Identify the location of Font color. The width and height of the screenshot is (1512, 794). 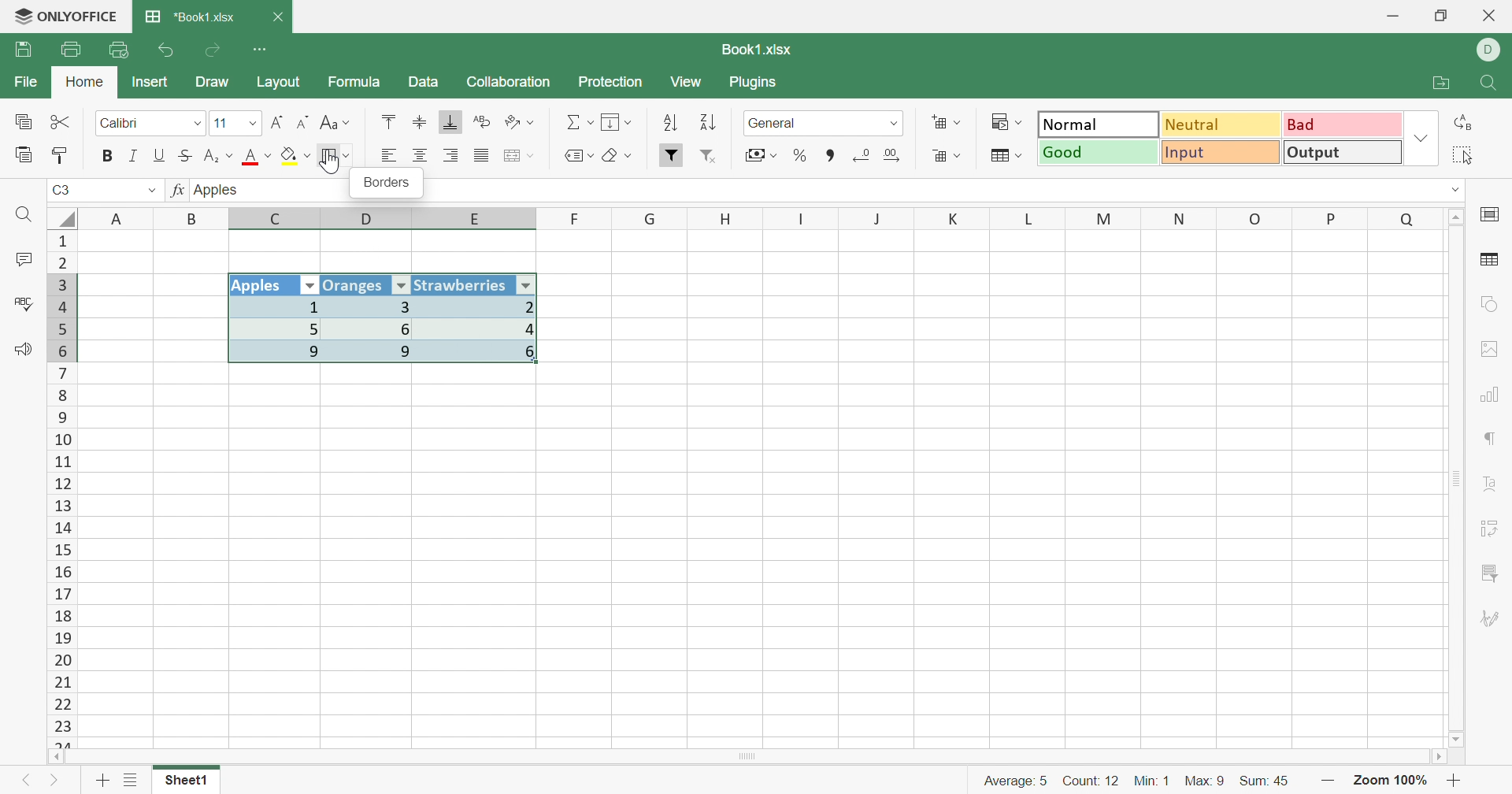
(259, 158).